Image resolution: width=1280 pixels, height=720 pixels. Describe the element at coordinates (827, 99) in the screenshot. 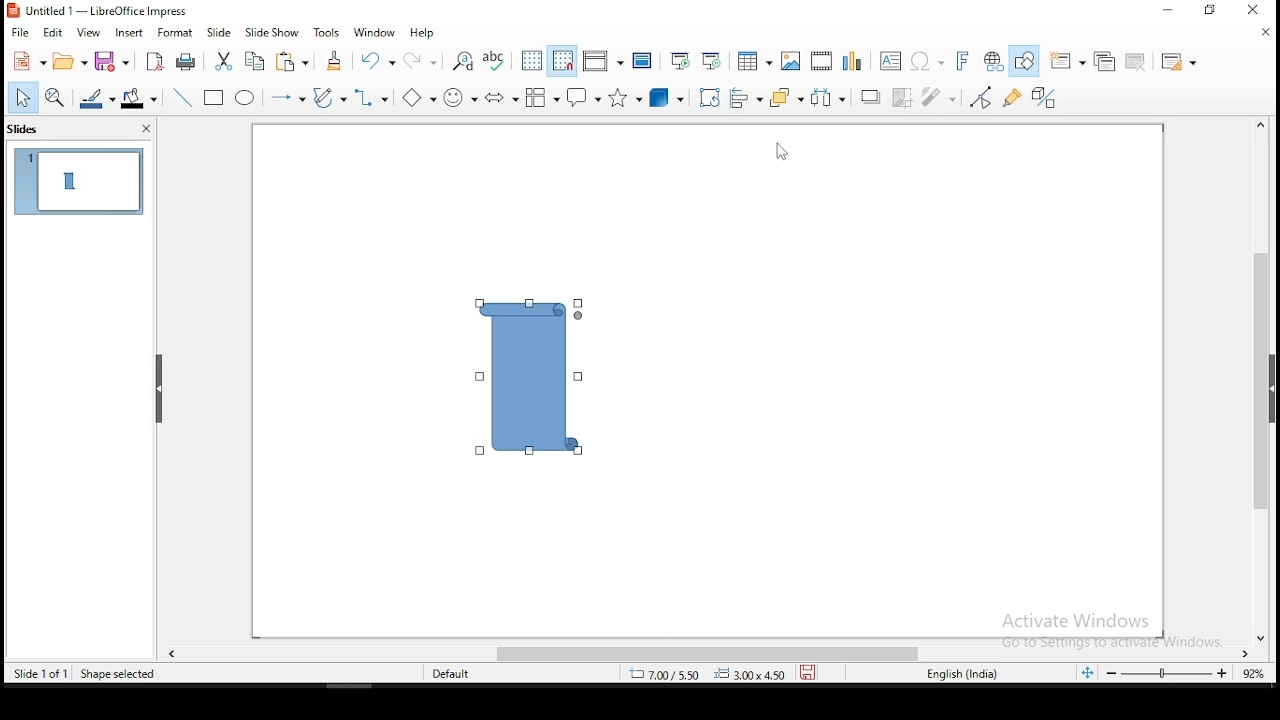

I see `distribute` at that location.